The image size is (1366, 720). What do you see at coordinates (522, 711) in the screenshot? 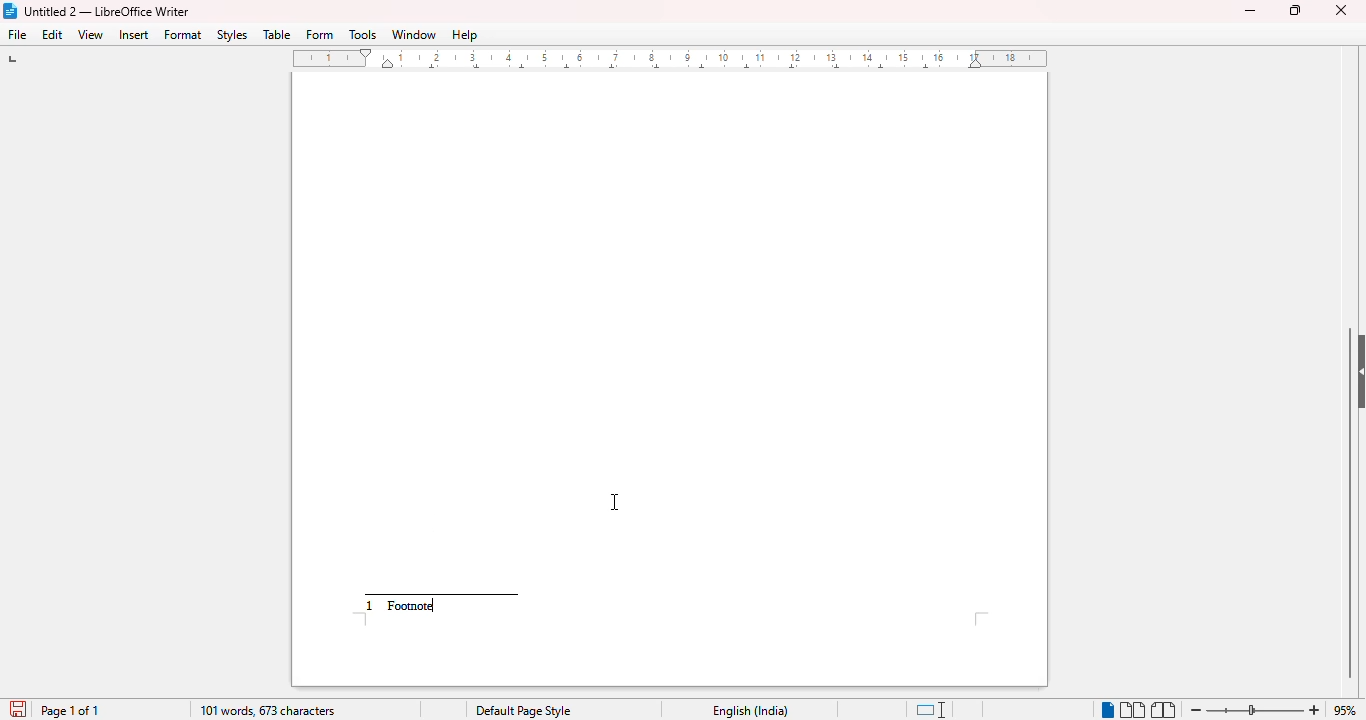
I see `Default page style` at bounding box center [522, 711].